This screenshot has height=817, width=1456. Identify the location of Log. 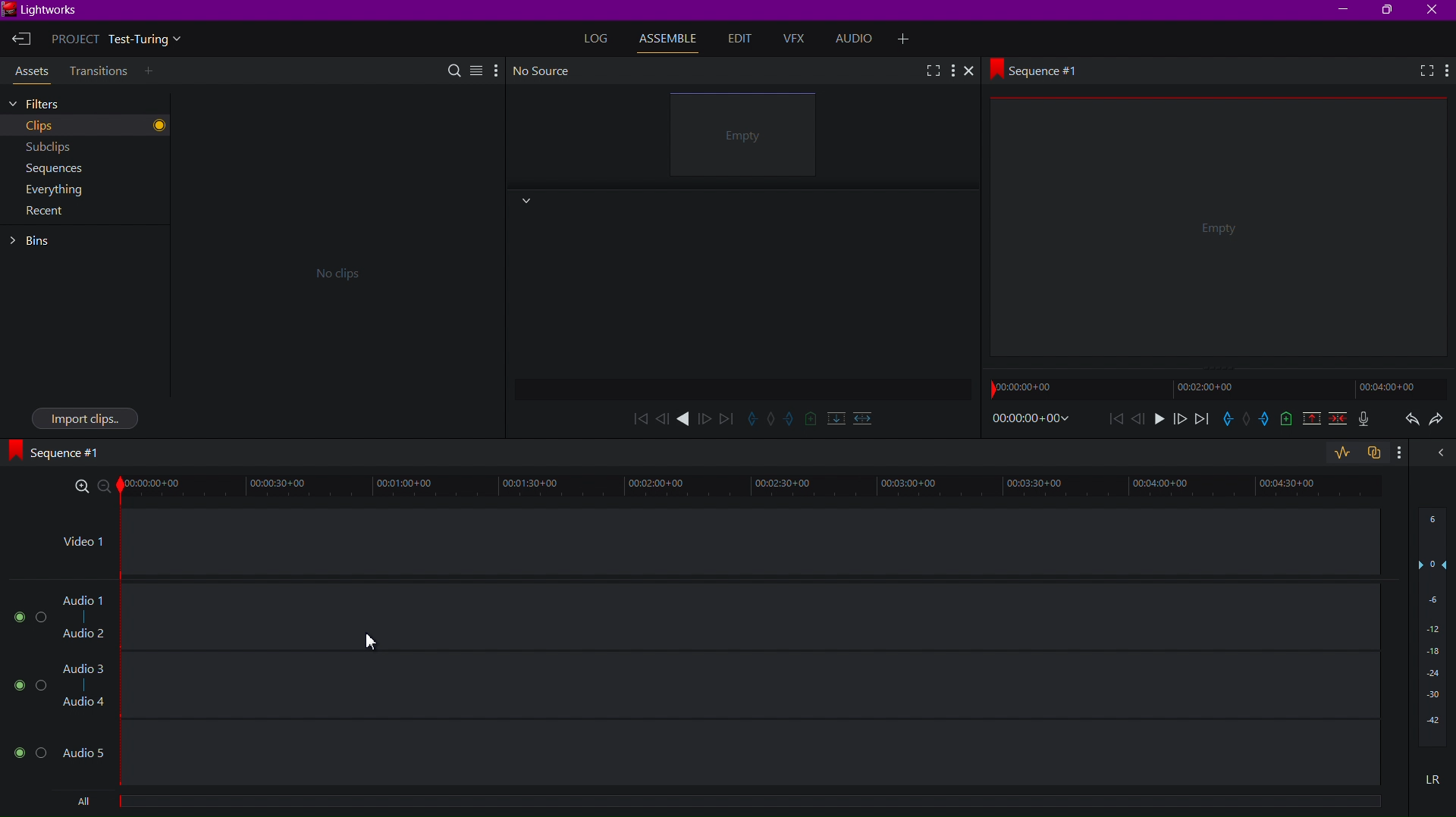
(598, 38).